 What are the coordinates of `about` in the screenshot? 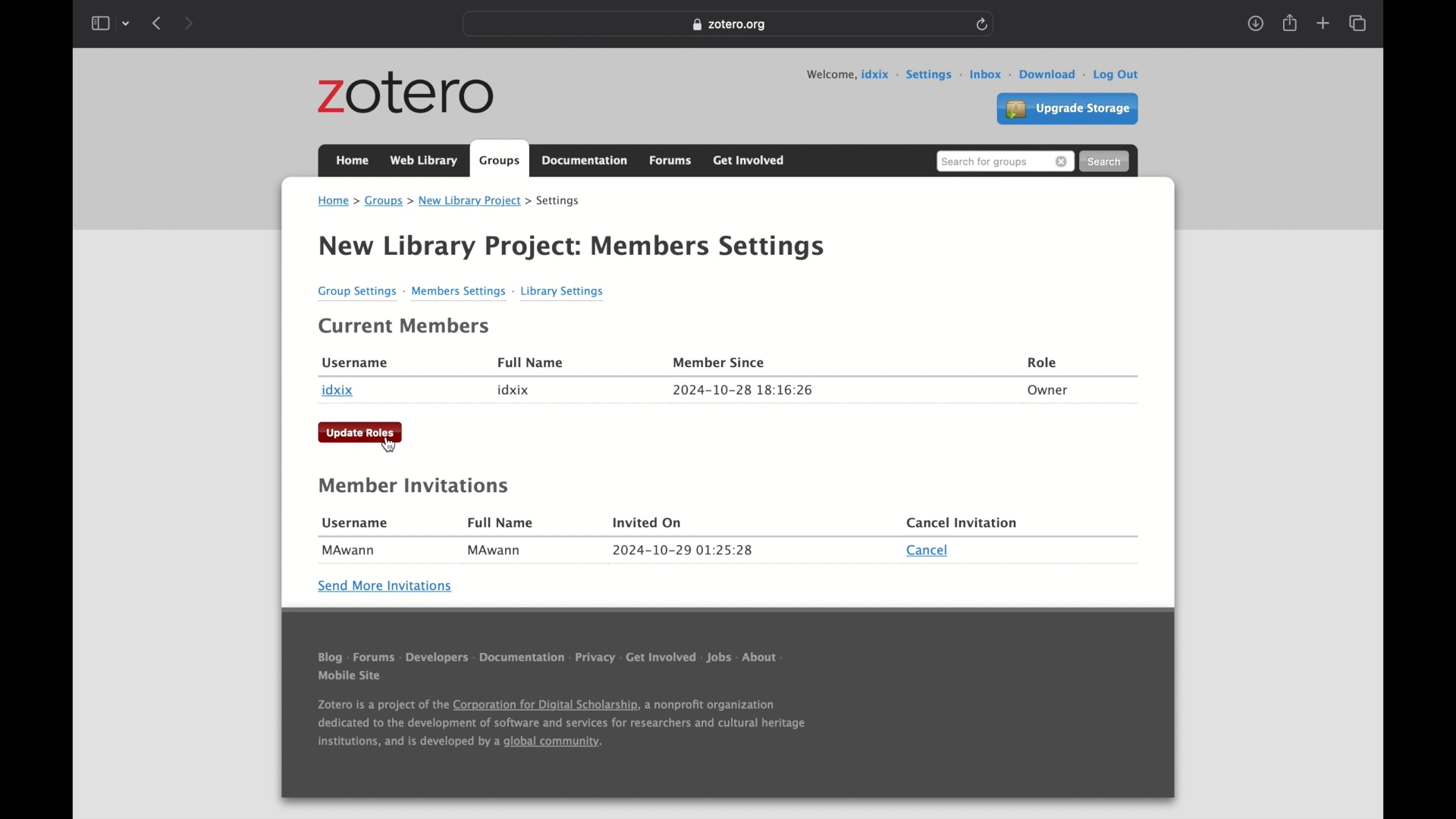 It's located at (767, 655).